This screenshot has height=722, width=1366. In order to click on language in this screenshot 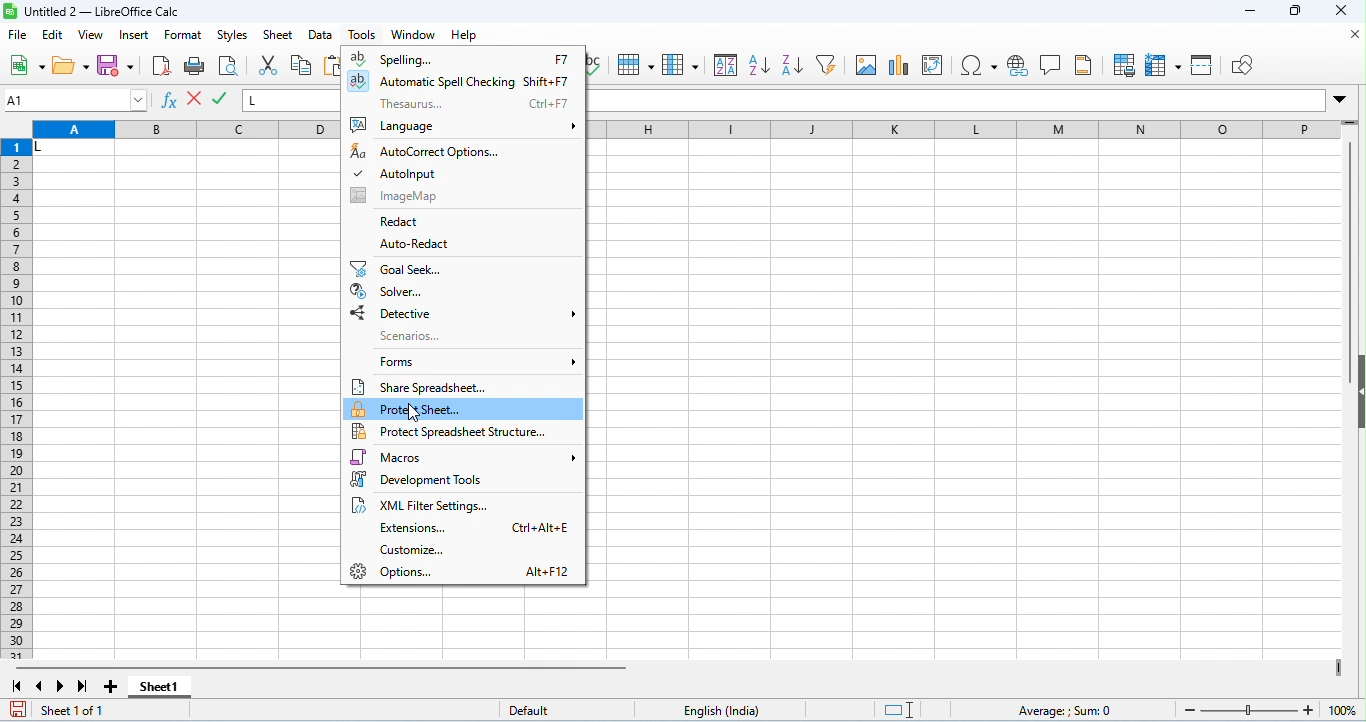, I will do `click(728, 710)`.